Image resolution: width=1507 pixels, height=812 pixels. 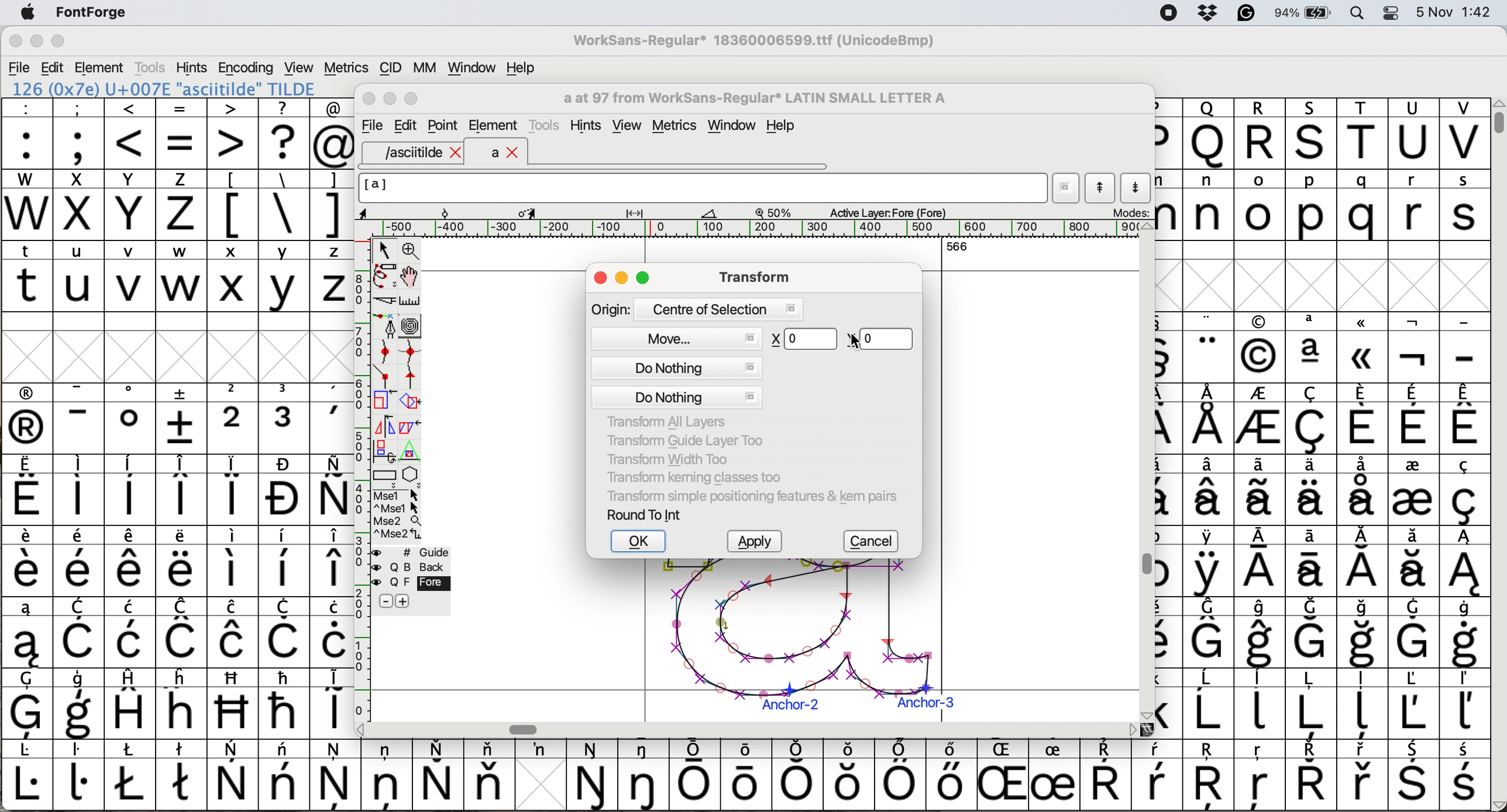 What do you see at coordinates (132, 205) in the screenshot?
I see `Y` at bounding box center [132, 205].